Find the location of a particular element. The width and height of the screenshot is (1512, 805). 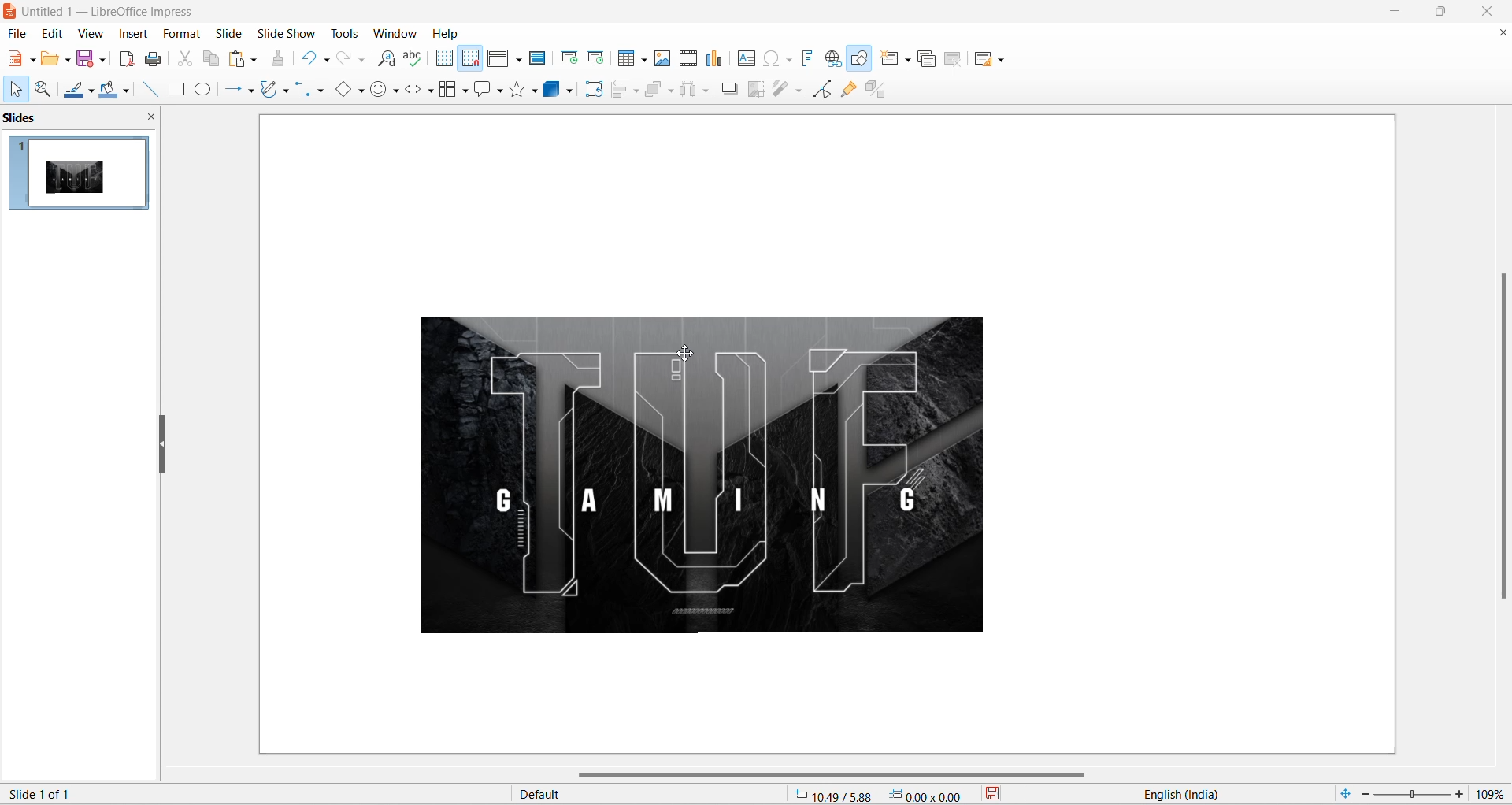

close is located at coordinates (1492, 11).